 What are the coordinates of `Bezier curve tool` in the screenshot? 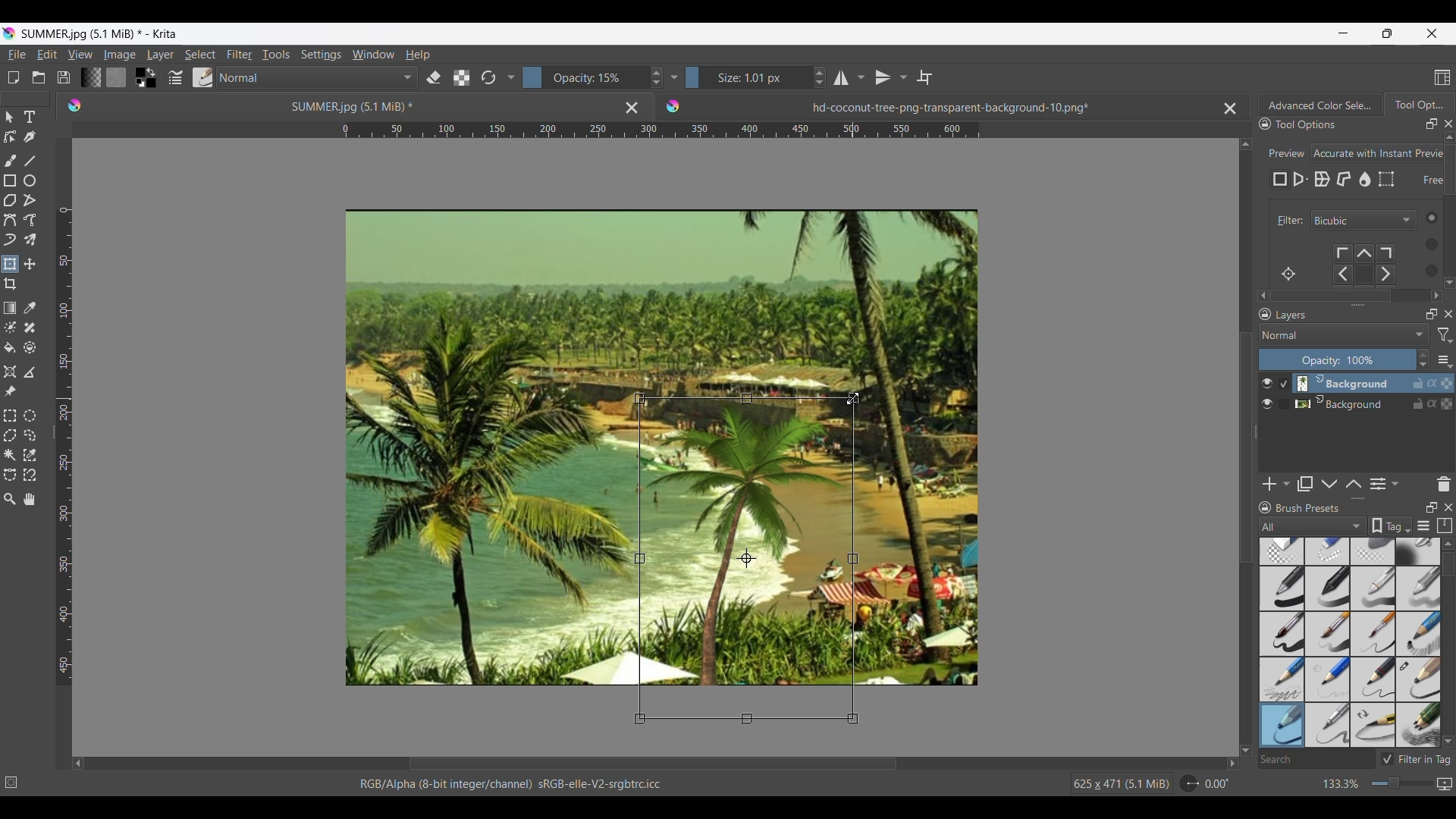 It's located at (10, 220).